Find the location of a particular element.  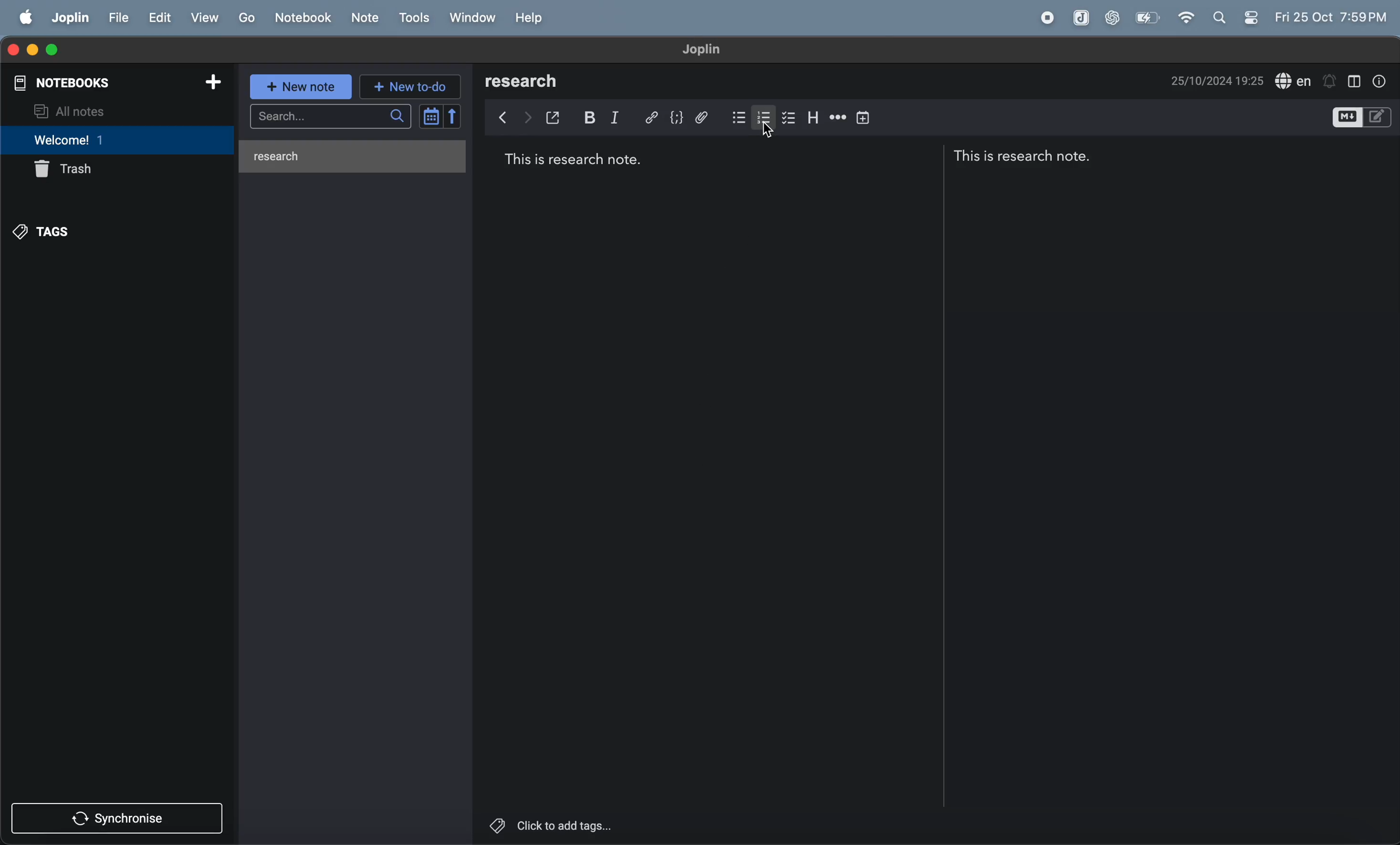

insert time is located at coordinates (866, 118).